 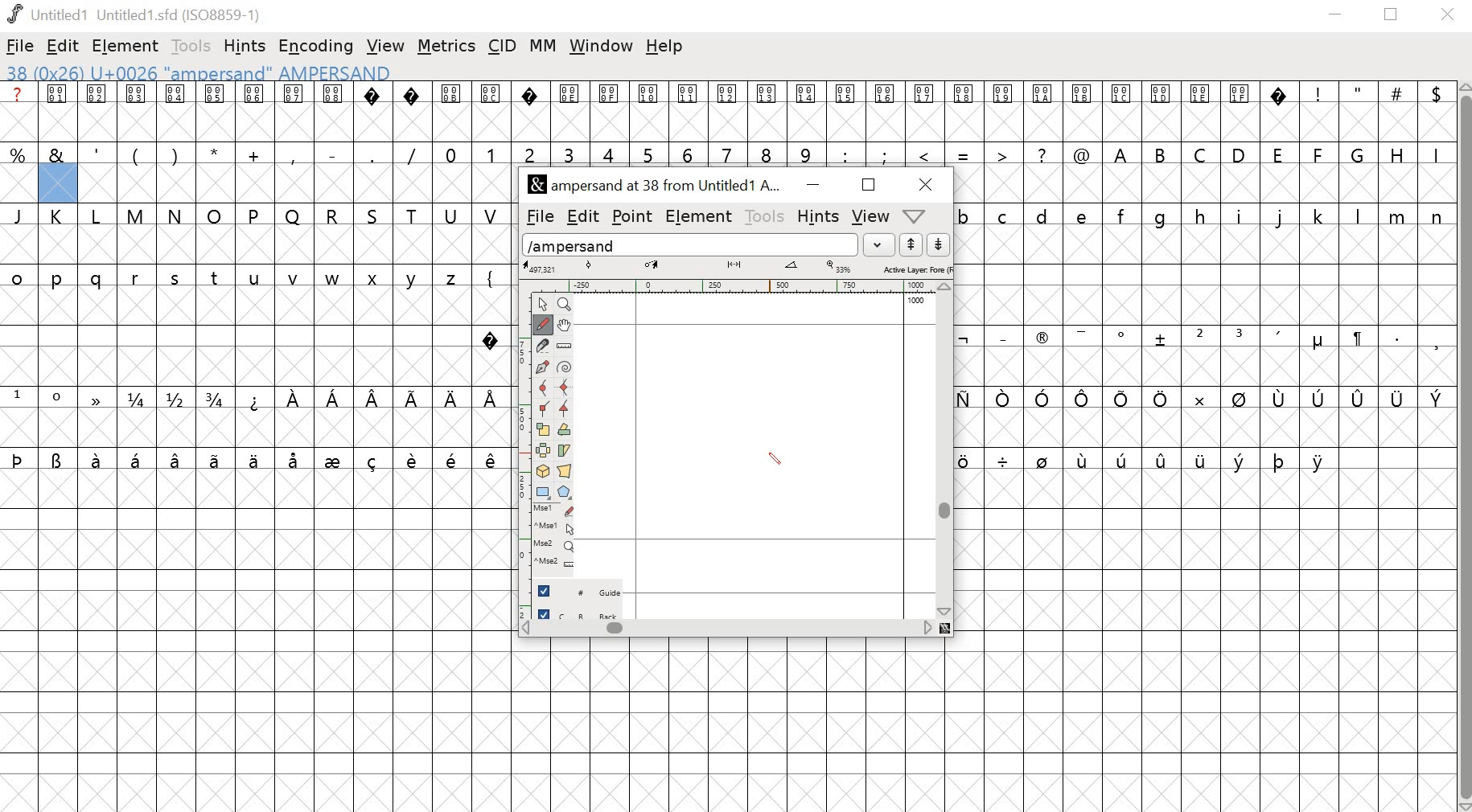 I want to click on l, so click(x=1359, y=215).